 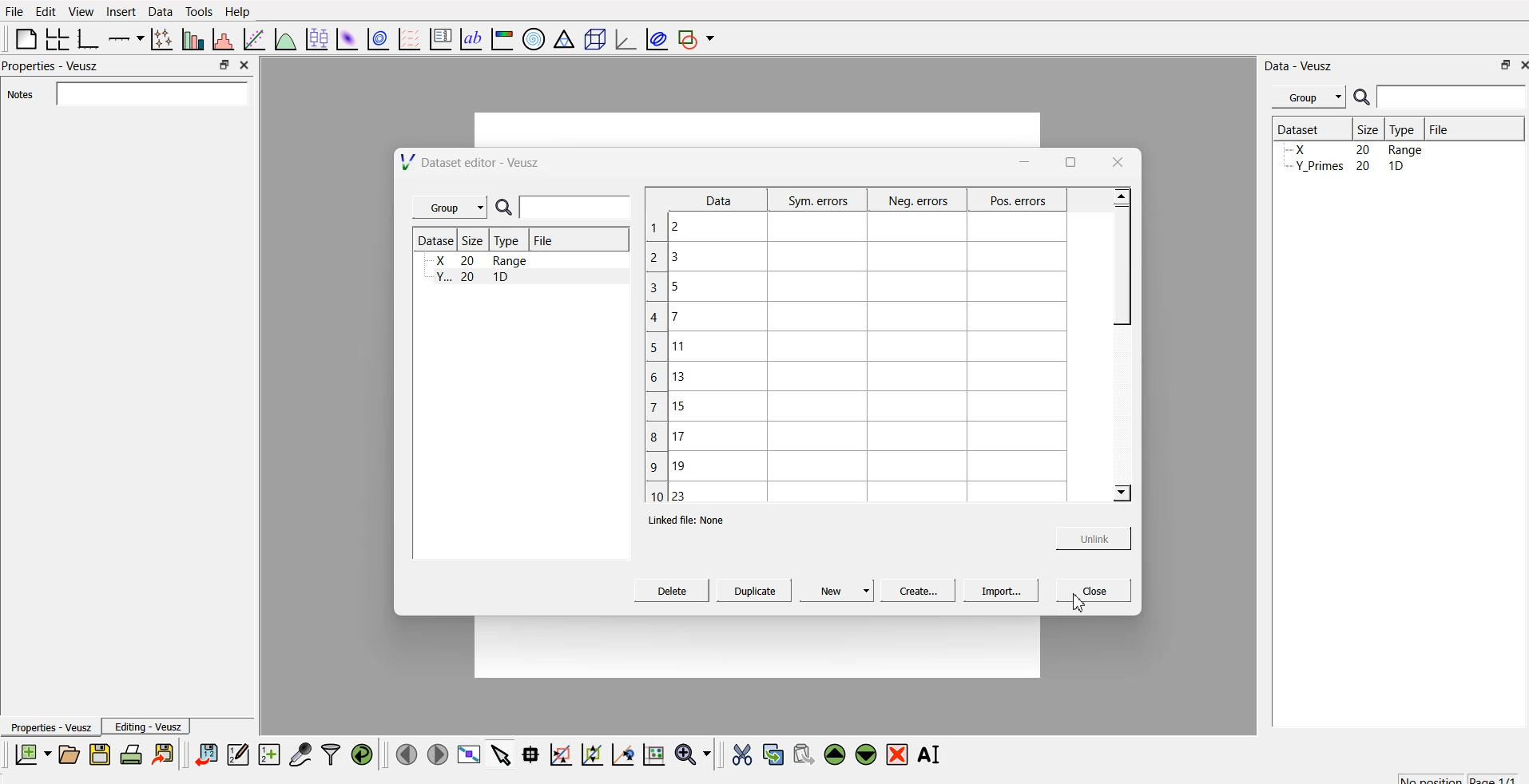 What do you see at coordinates (1344, 149) in the screenshot?
I see `Y_Primes 20 1D` at bounding box center [1344, 149].